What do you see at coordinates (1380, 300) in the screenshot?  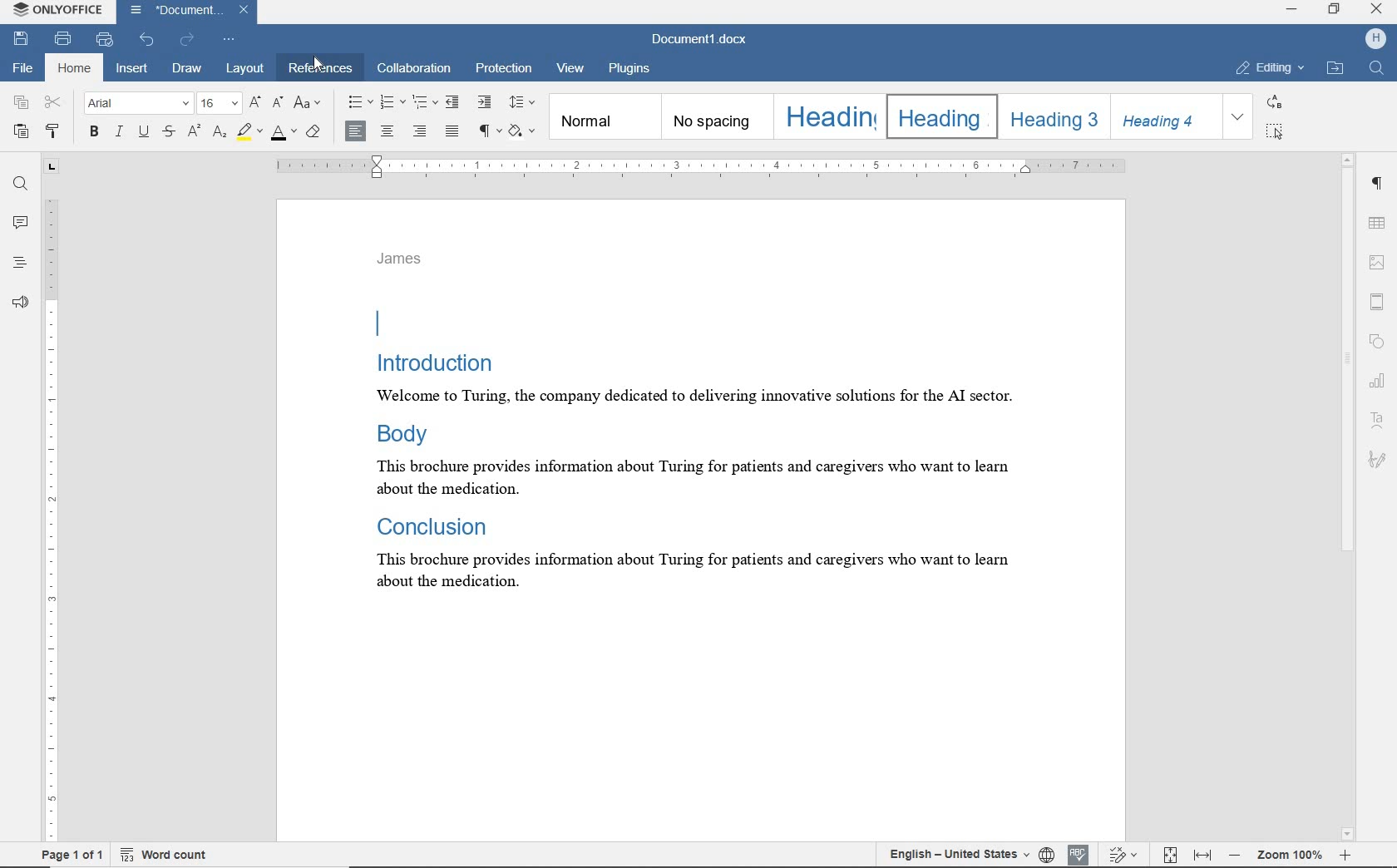 I see `header & footer` at bounding box center [1380, 300].